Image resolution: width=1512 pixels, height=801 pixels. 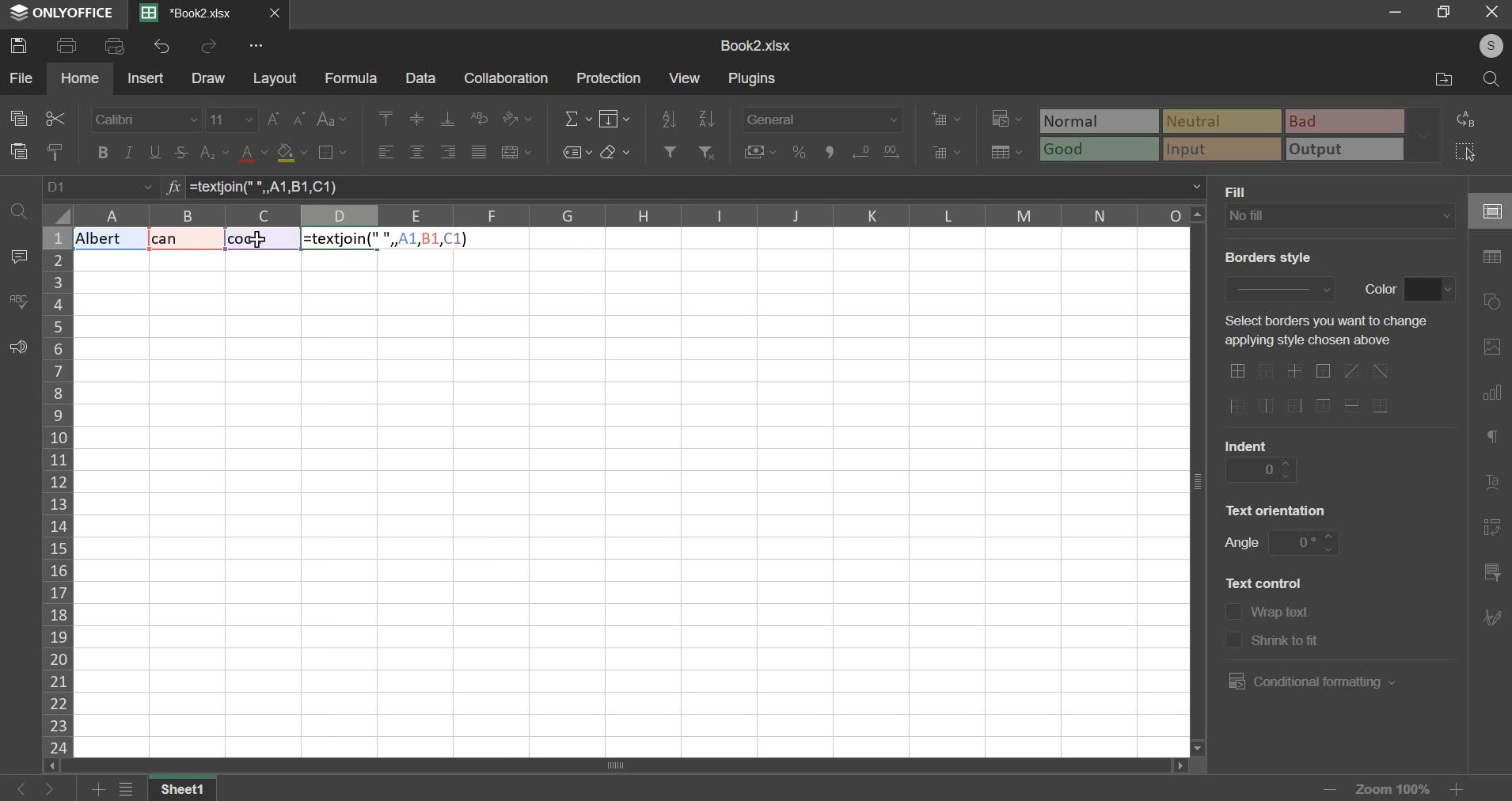 What do you see at coordinates (1471, 119) in the screenshot?
I see `replace` at bounding box center [1471, 119].